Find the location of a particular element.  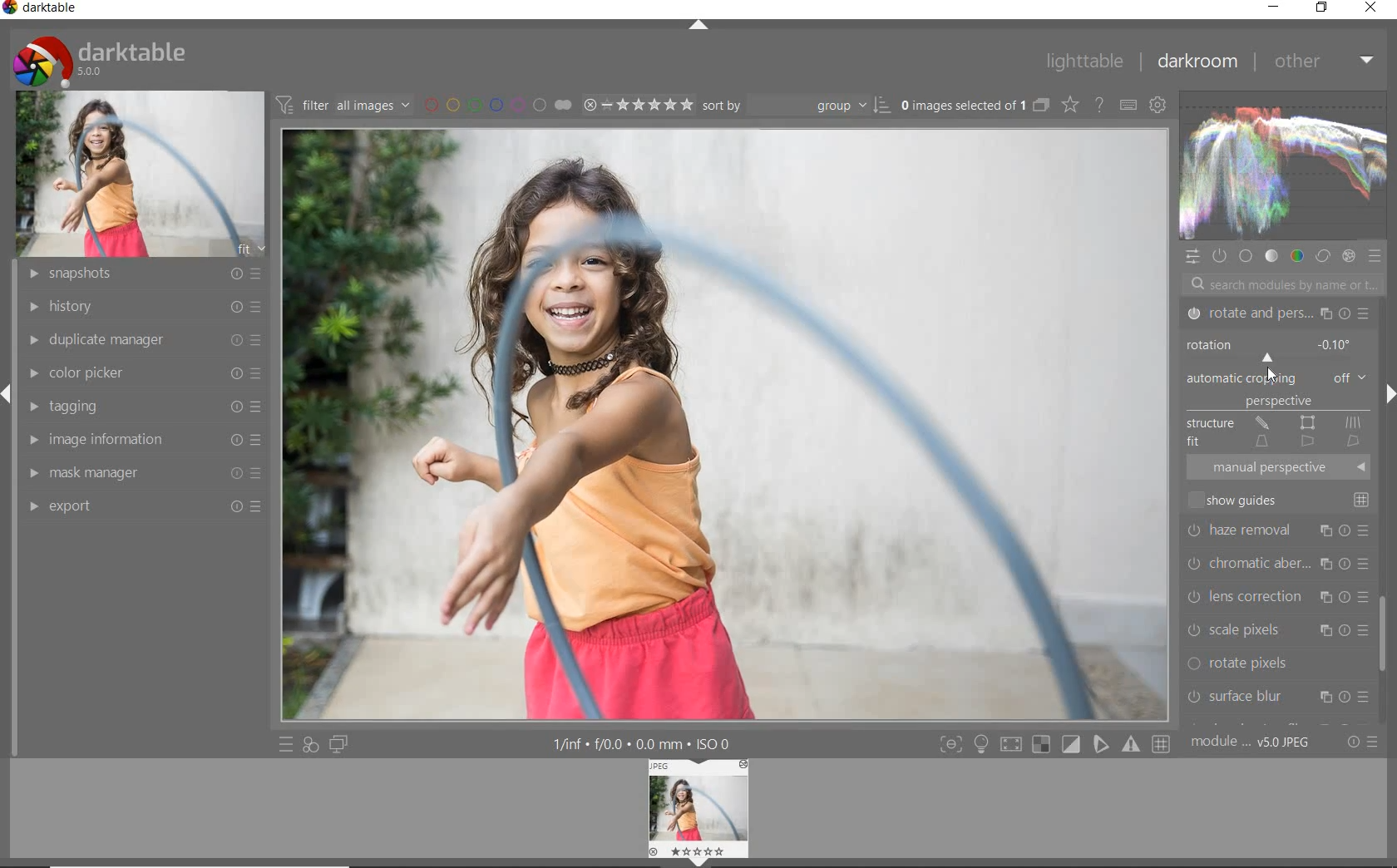

effect is located at coordinates (1350, 258).